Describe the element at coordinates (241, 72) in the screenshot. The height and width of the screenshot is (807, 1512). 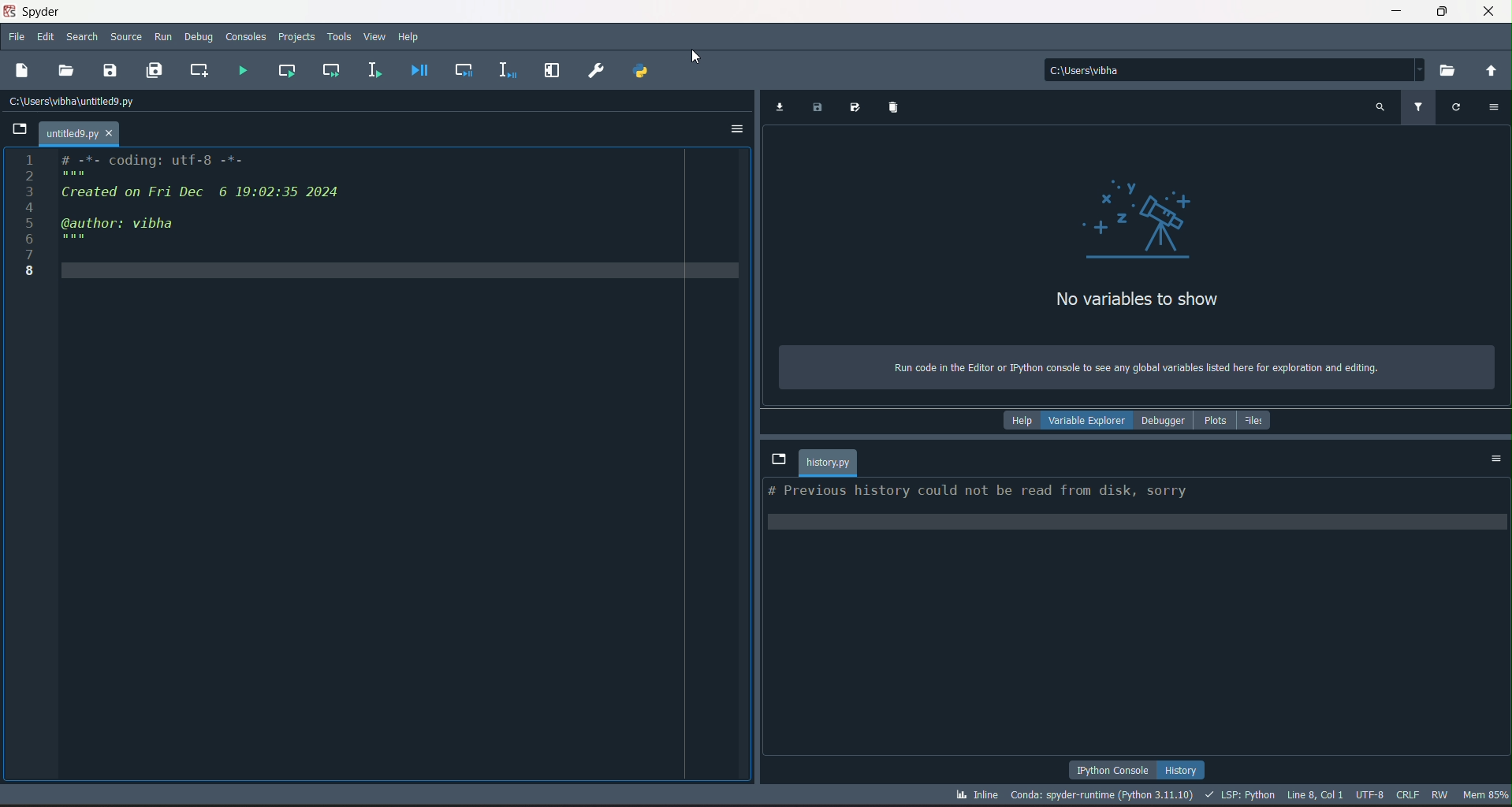
I see `run file` at that location.